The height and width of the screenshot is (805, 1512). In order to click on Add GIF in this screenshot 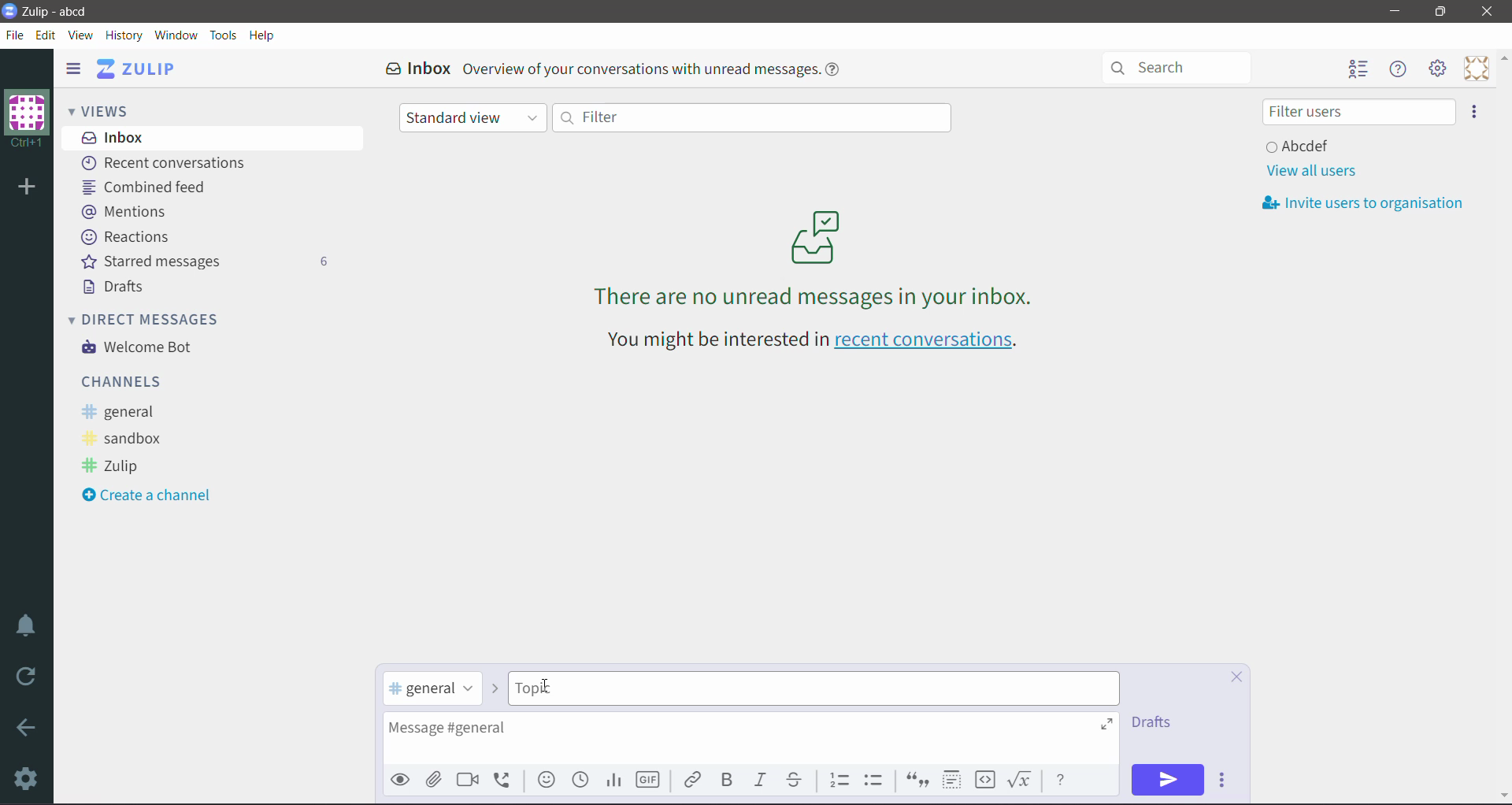, I will do `click(647, 781)`.